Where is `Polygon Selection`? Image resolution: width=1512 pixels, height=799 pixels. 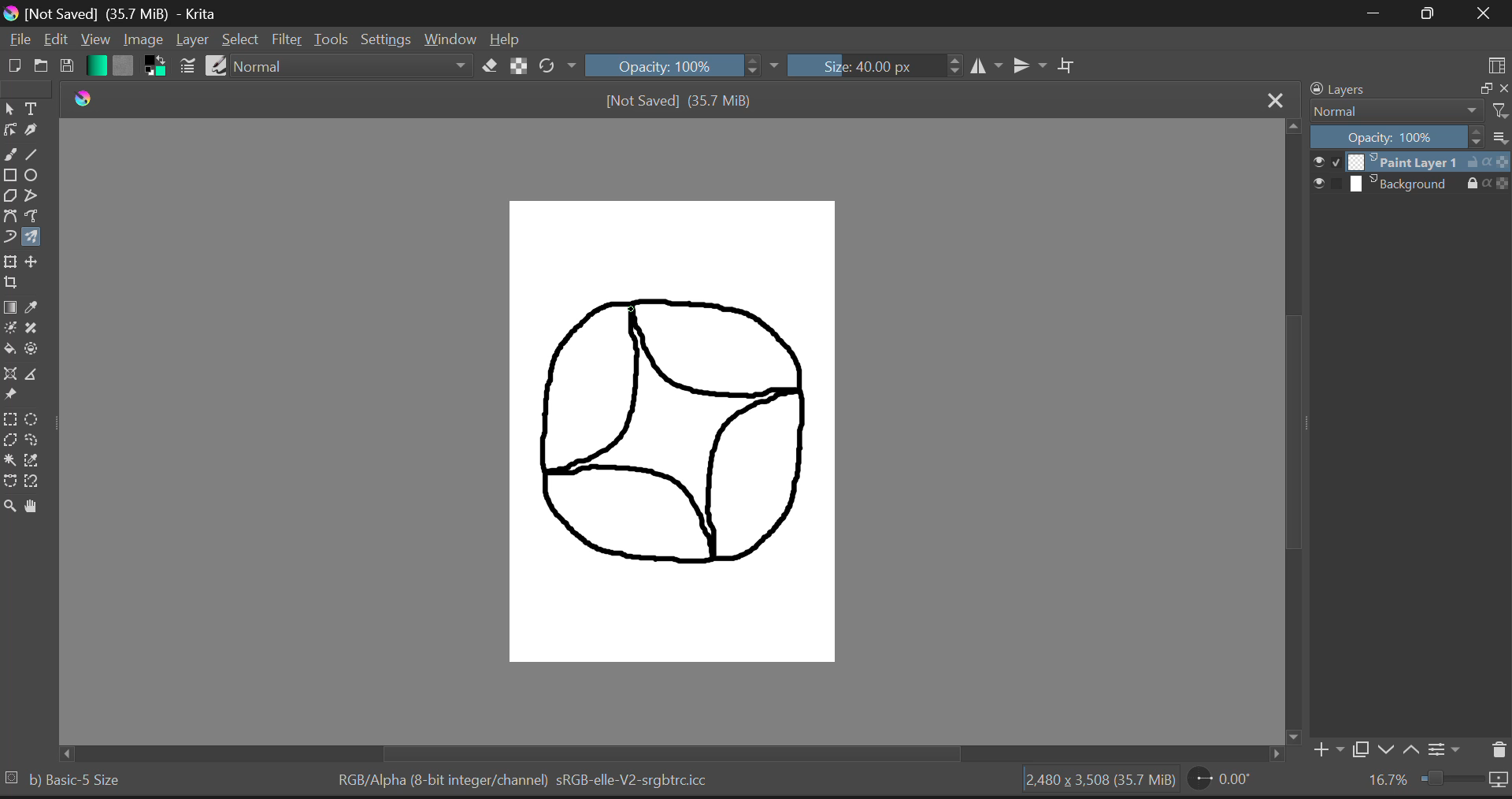
Polygon Selection is located at coordinates (10, 440).